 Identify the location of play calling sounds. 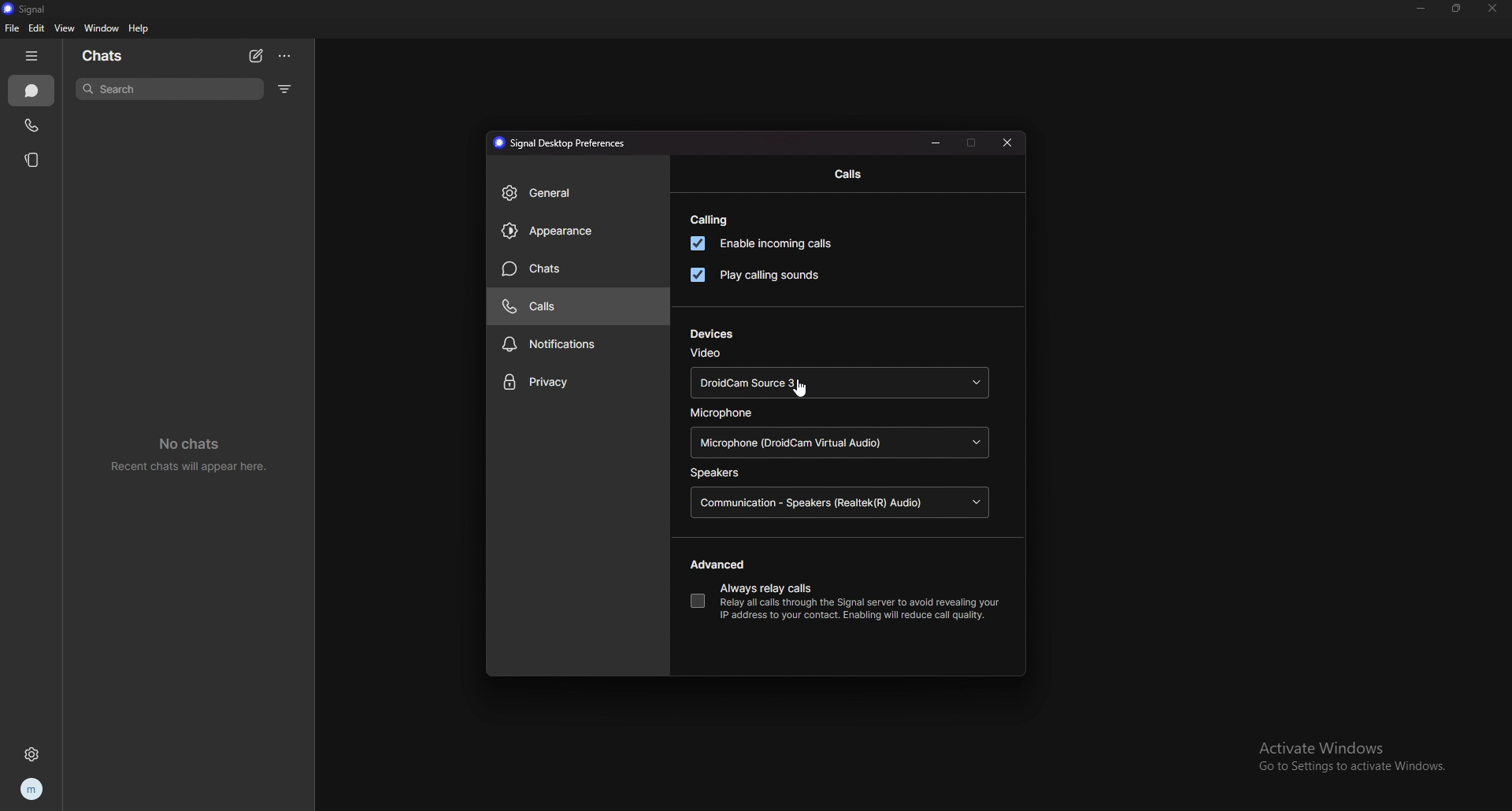
(754, 275).